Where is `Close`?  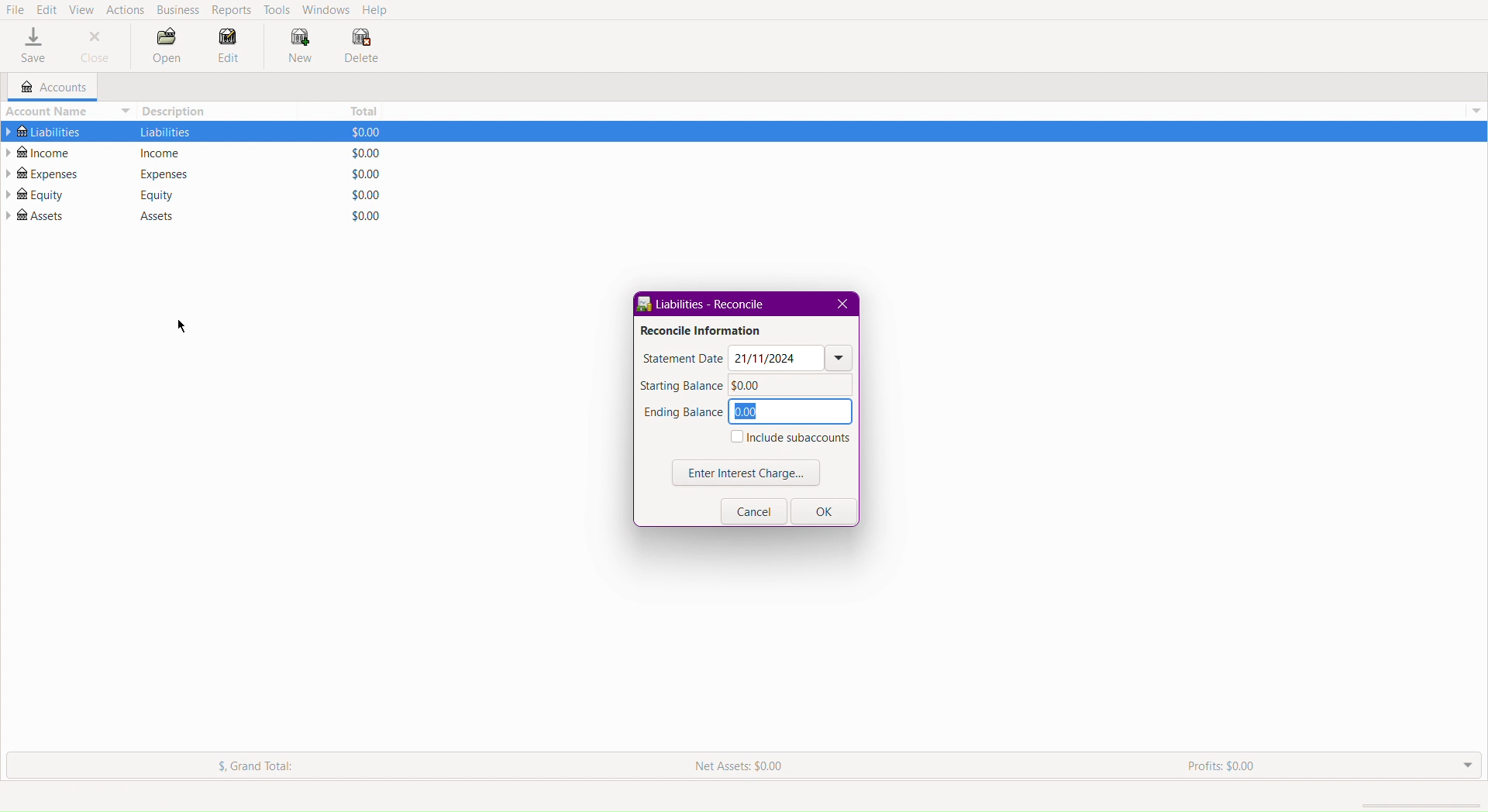
Close is located at coordinates (842, 304).